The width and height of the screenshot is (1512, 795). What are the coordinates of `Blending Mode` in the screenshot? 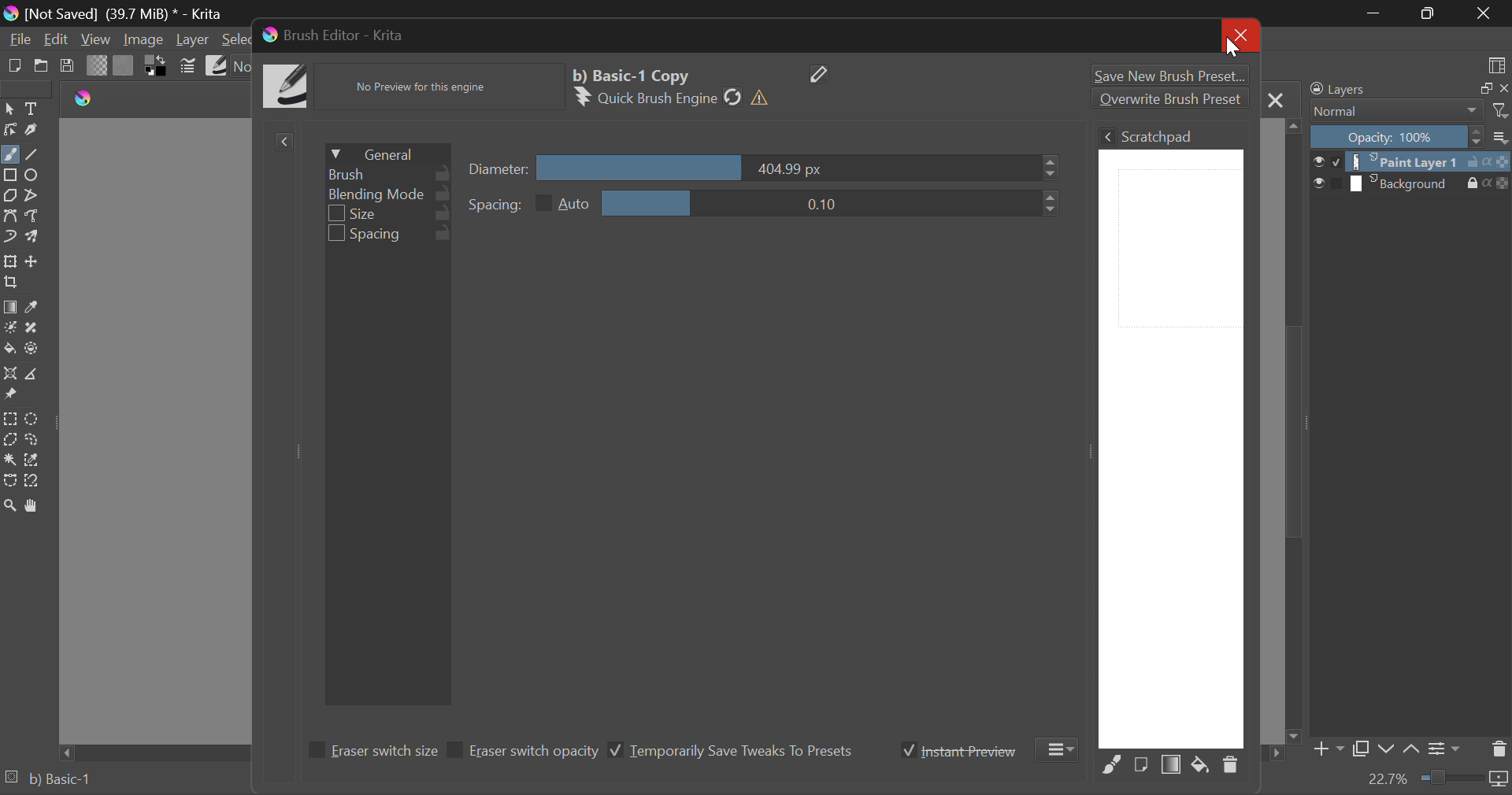 It's located at (388, 194).